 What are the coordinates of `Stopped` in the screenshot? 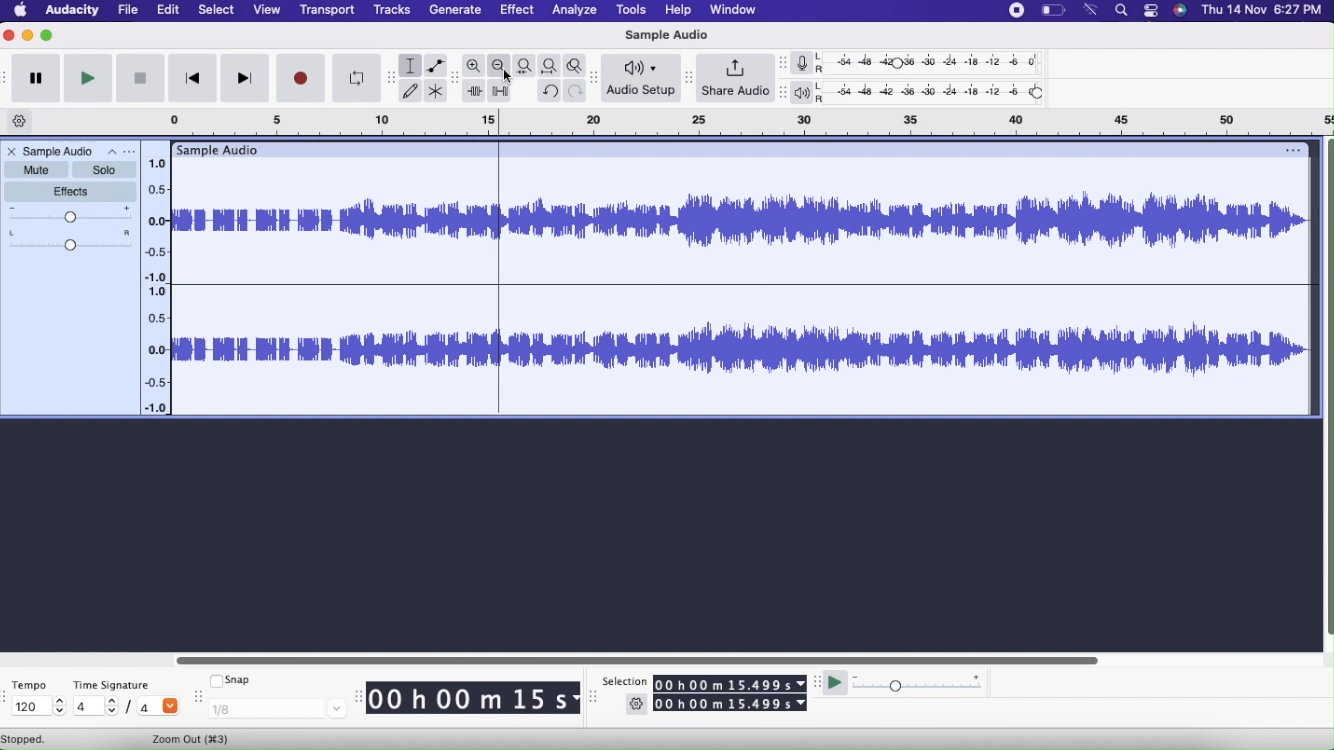 It's located at (28, 740).